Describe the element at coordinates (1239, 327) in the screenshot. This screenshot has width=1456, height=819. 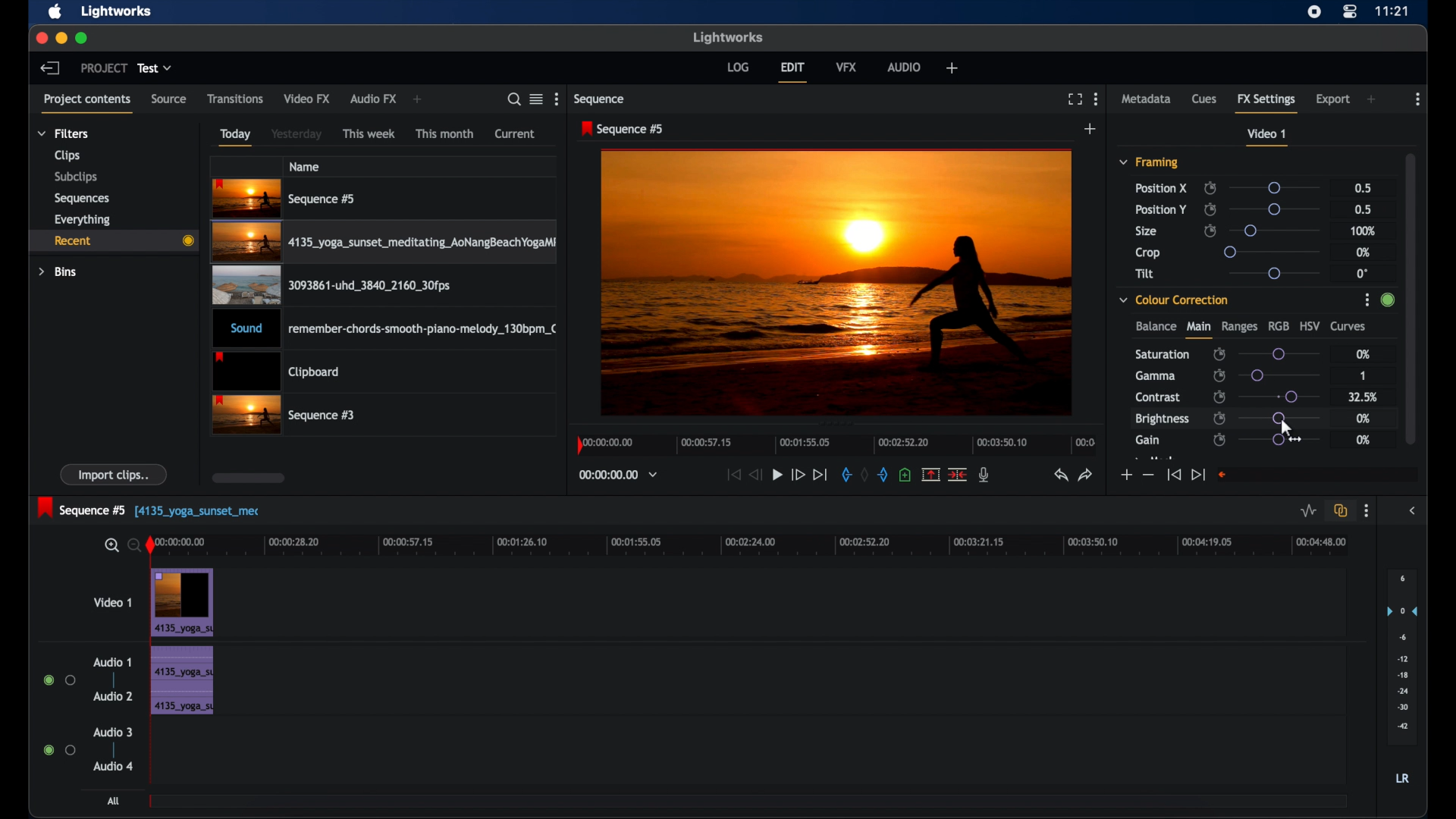
I see `ranges` at that location.